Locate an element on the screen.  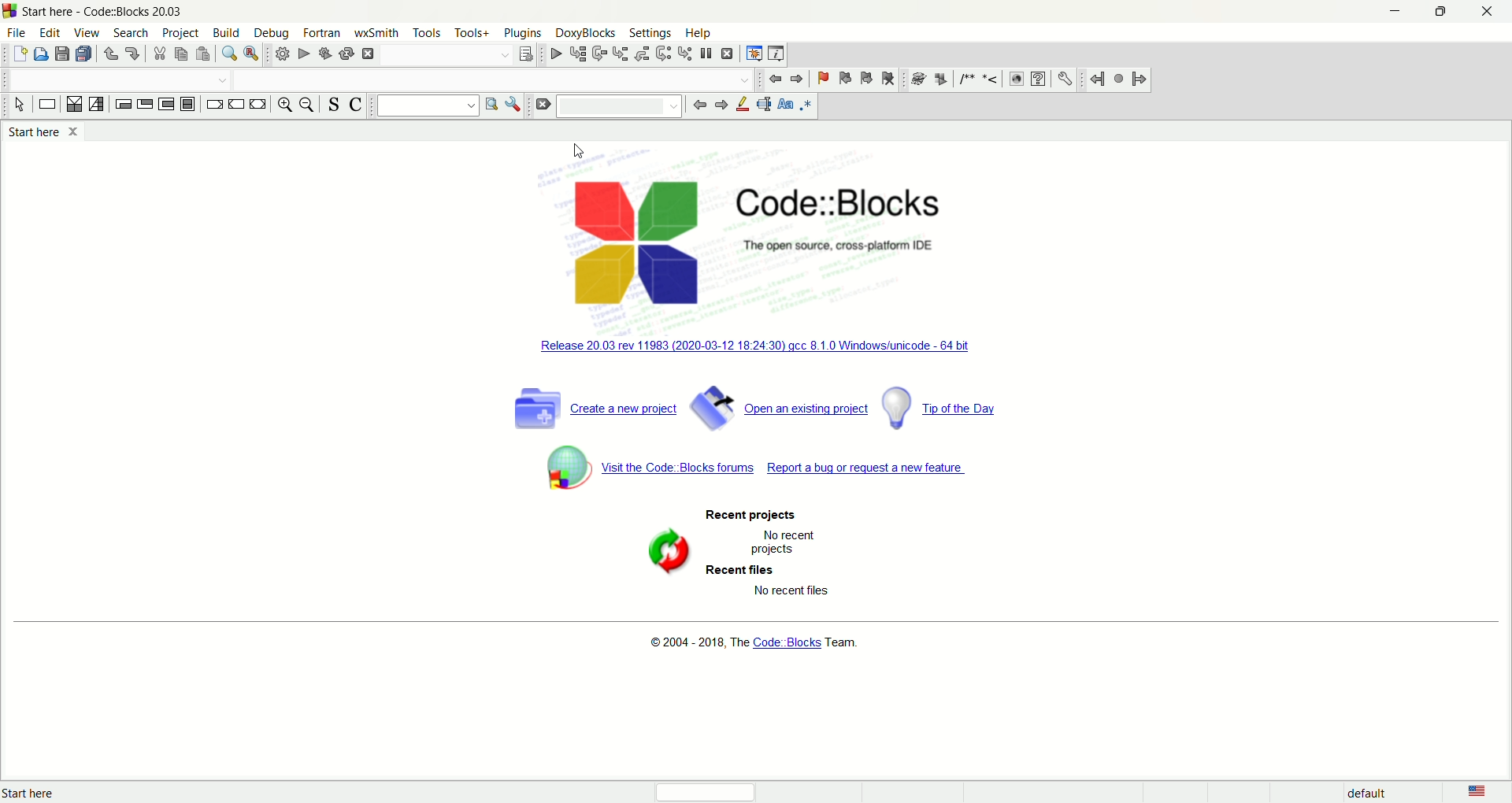
language is located at coordinates (1485, 793).